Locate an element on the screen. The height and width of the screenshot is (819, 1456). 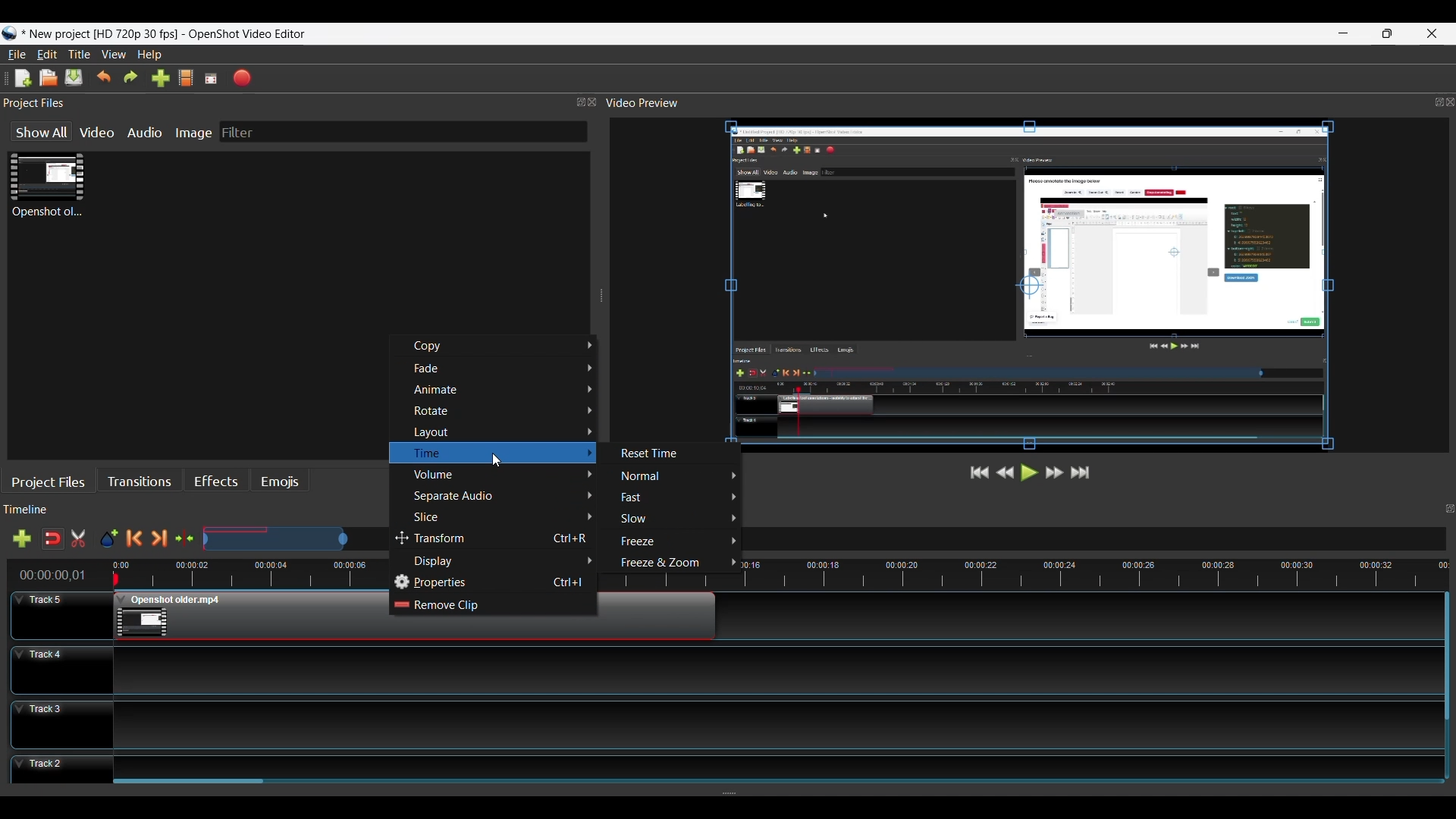
Emojis is located at coordinates (281, 483).